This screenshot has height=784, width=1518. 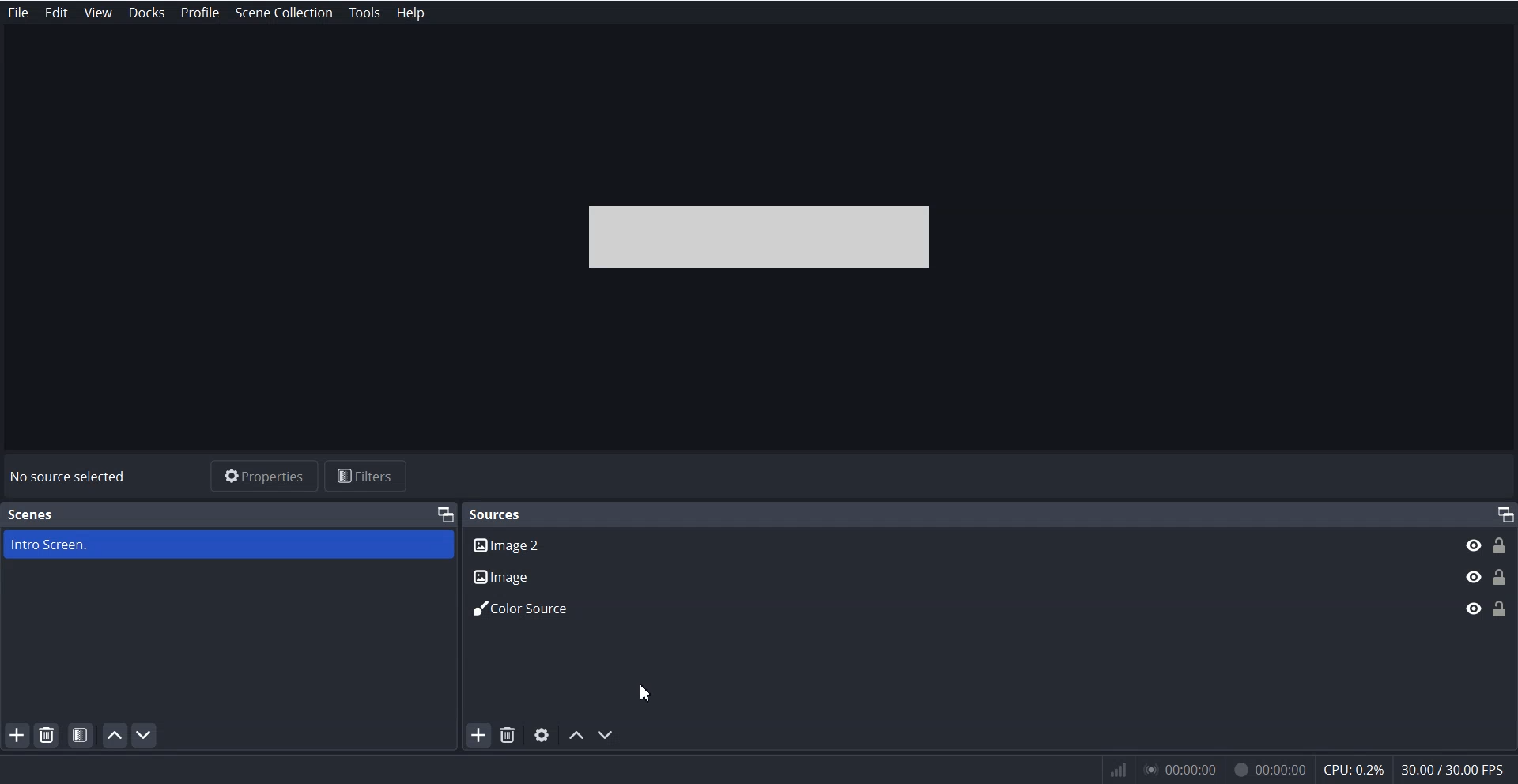 What do you see at coordinates (1458, 768) in the screenshot?
I see `30.007 30.00 EPs` at bounding box center [1458, 768].